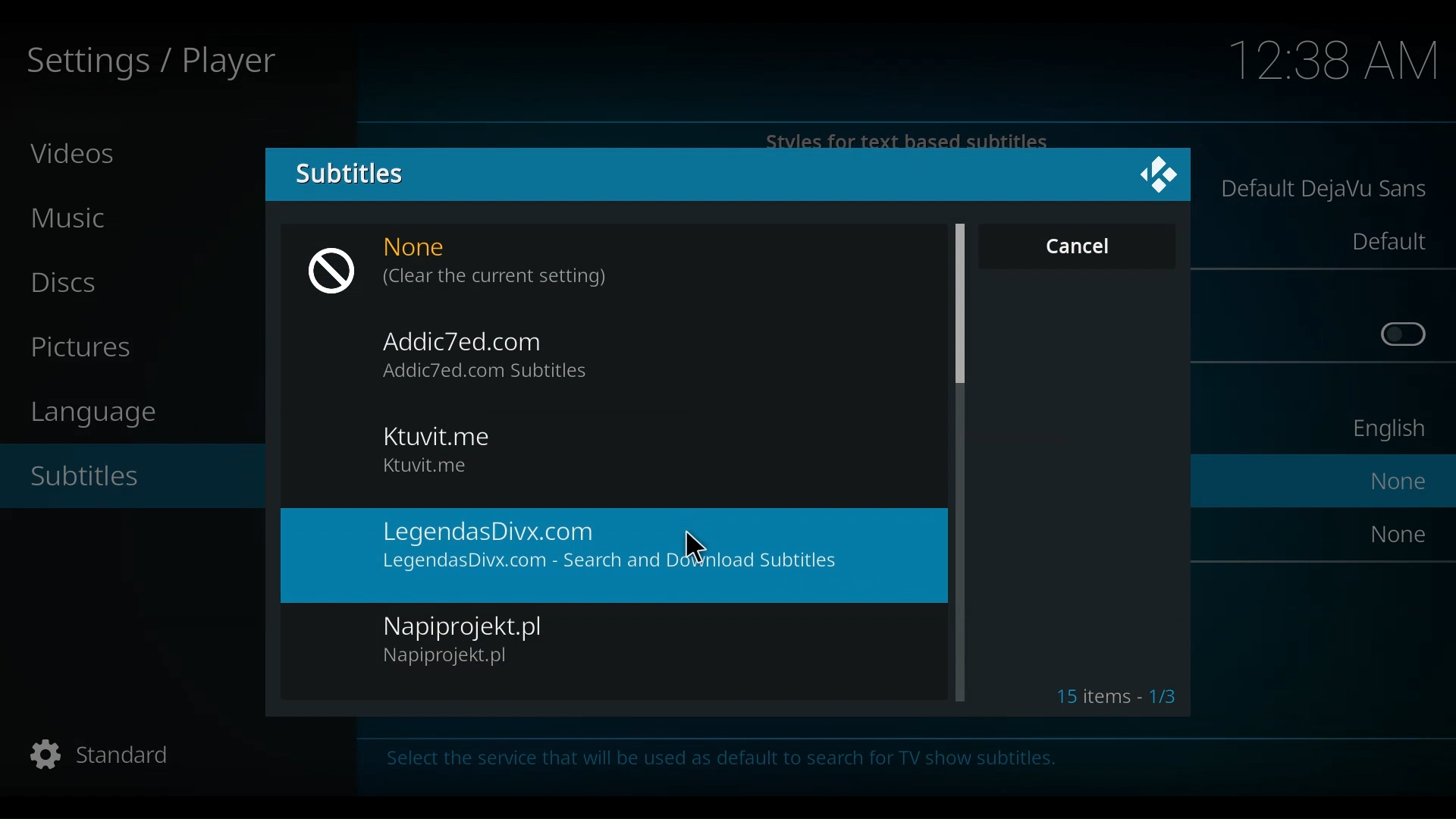  I want to click on Music, so click(76, 219).